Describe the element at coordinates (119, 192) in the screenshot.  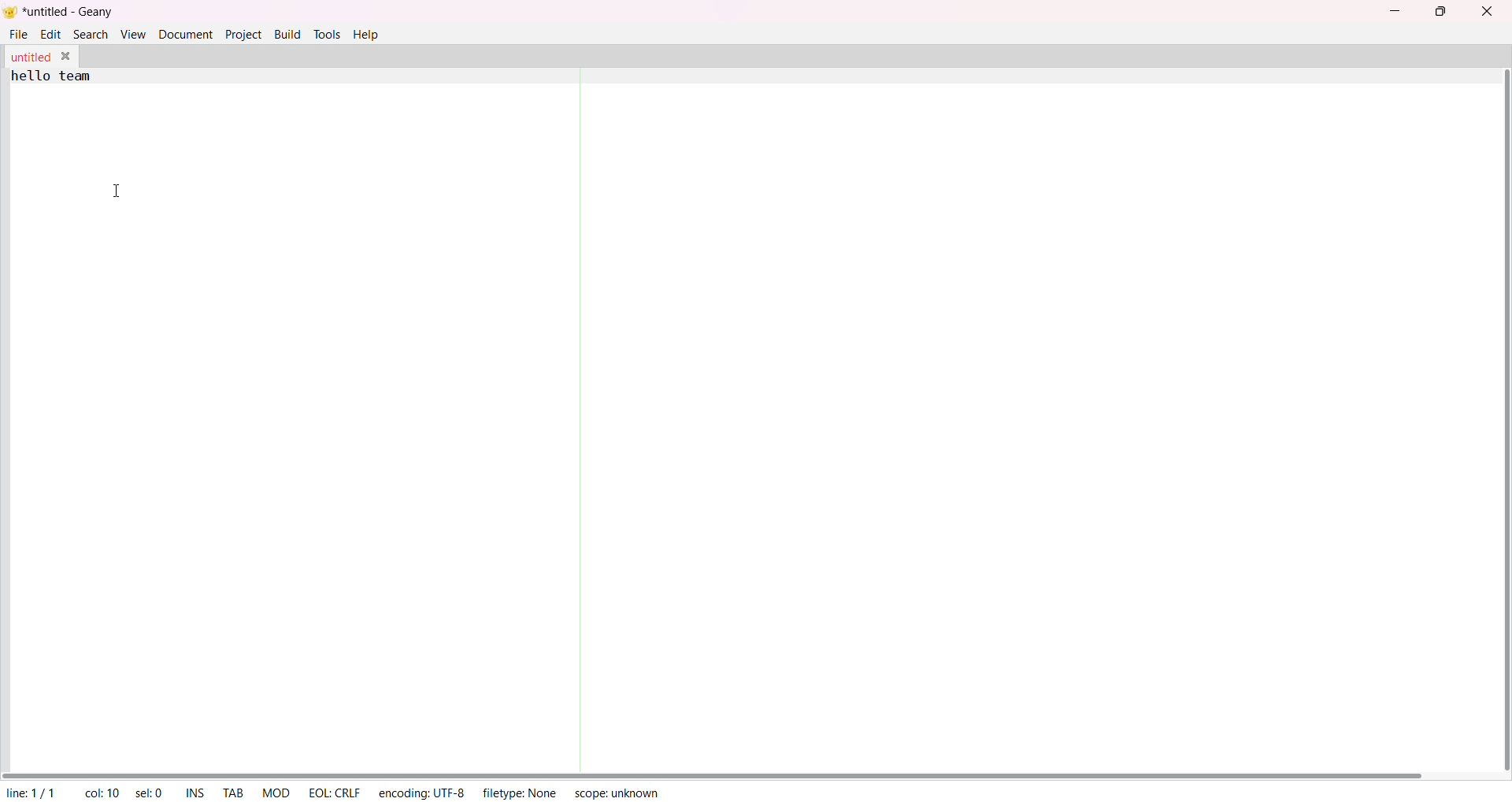
I see `text cursor` at that location.